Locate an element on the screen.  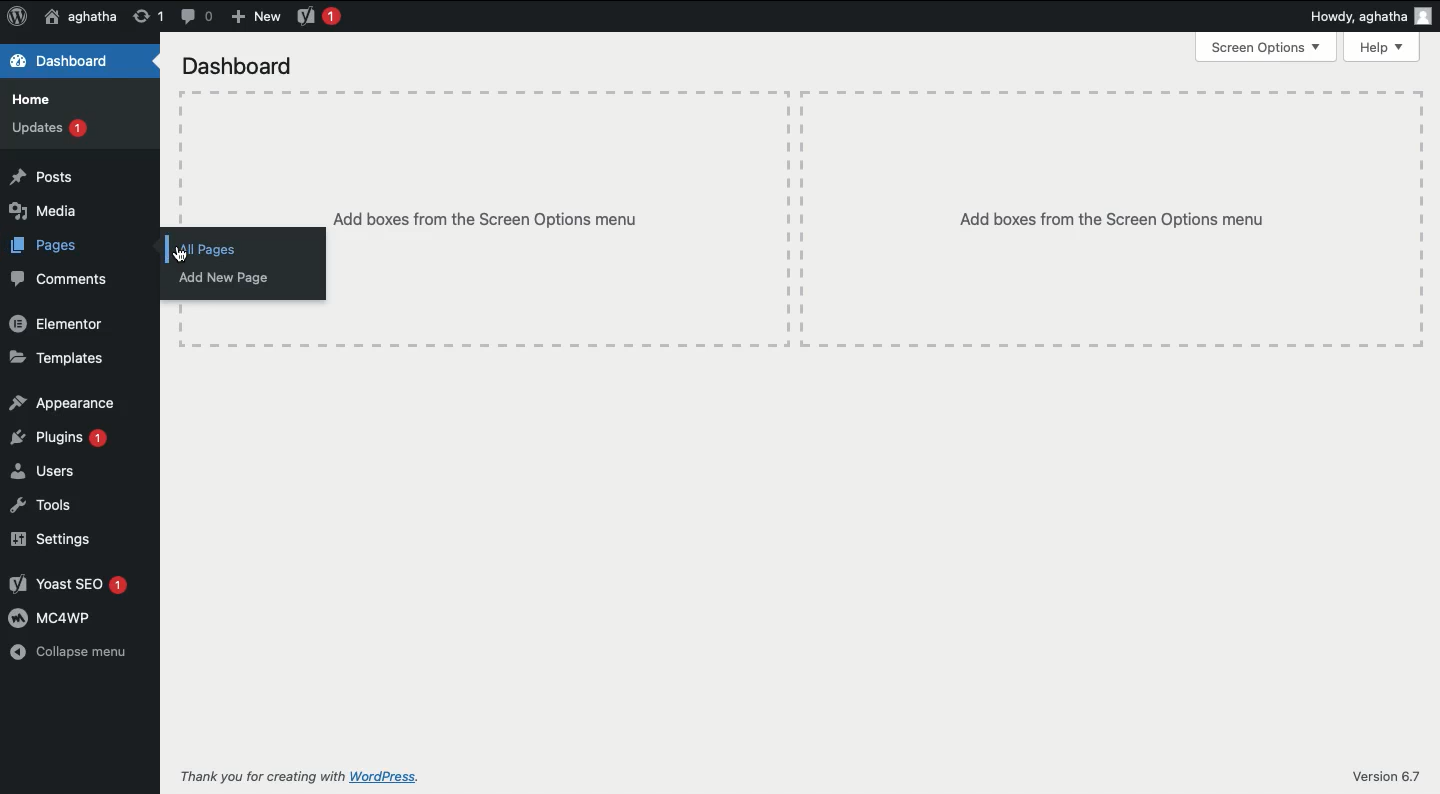
Logo is located at coordinates (17, 17).